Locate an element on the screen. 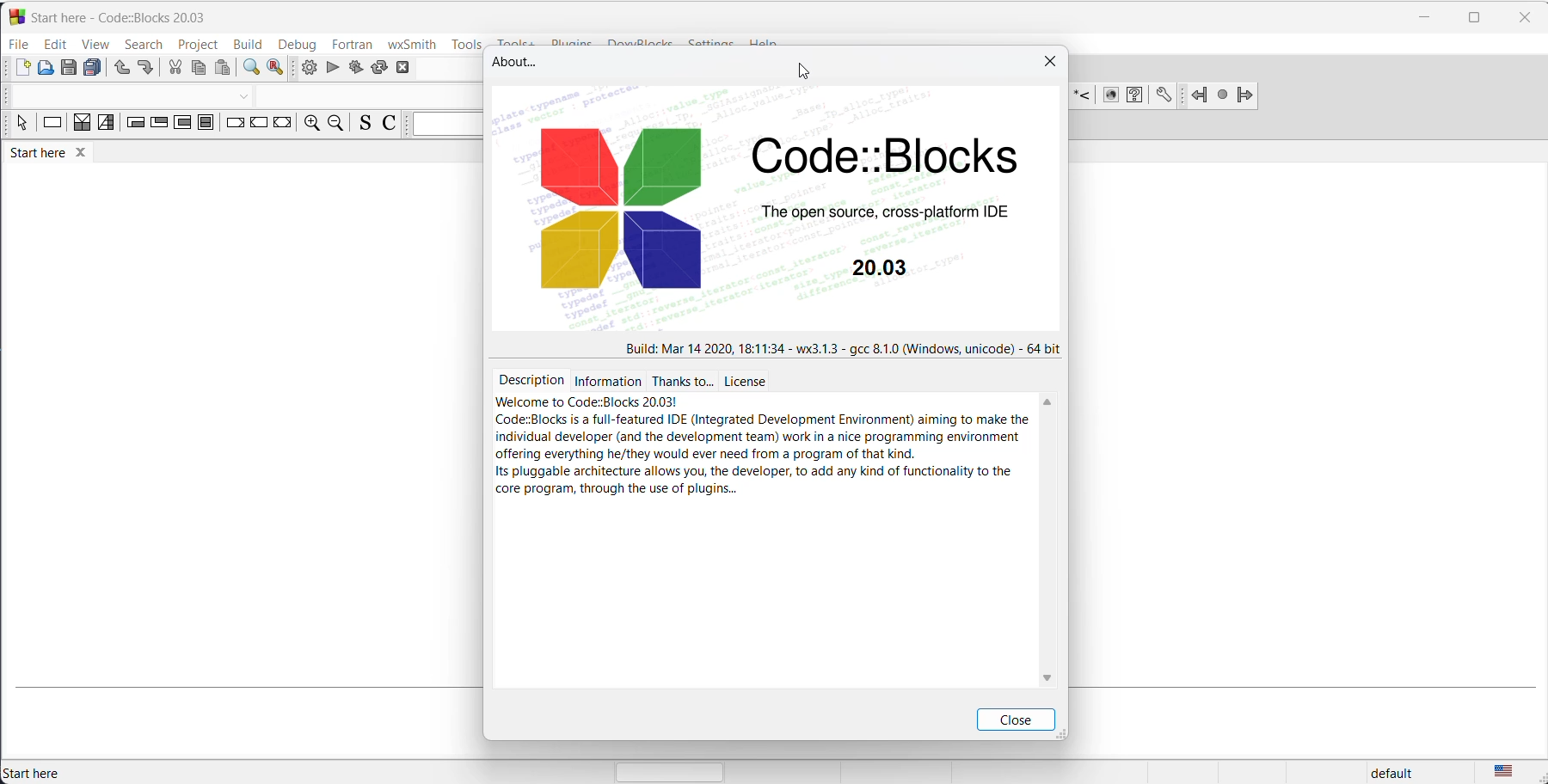 The width and height of the screenshot is (1548, 784). build is located at coordinates (249, 44).